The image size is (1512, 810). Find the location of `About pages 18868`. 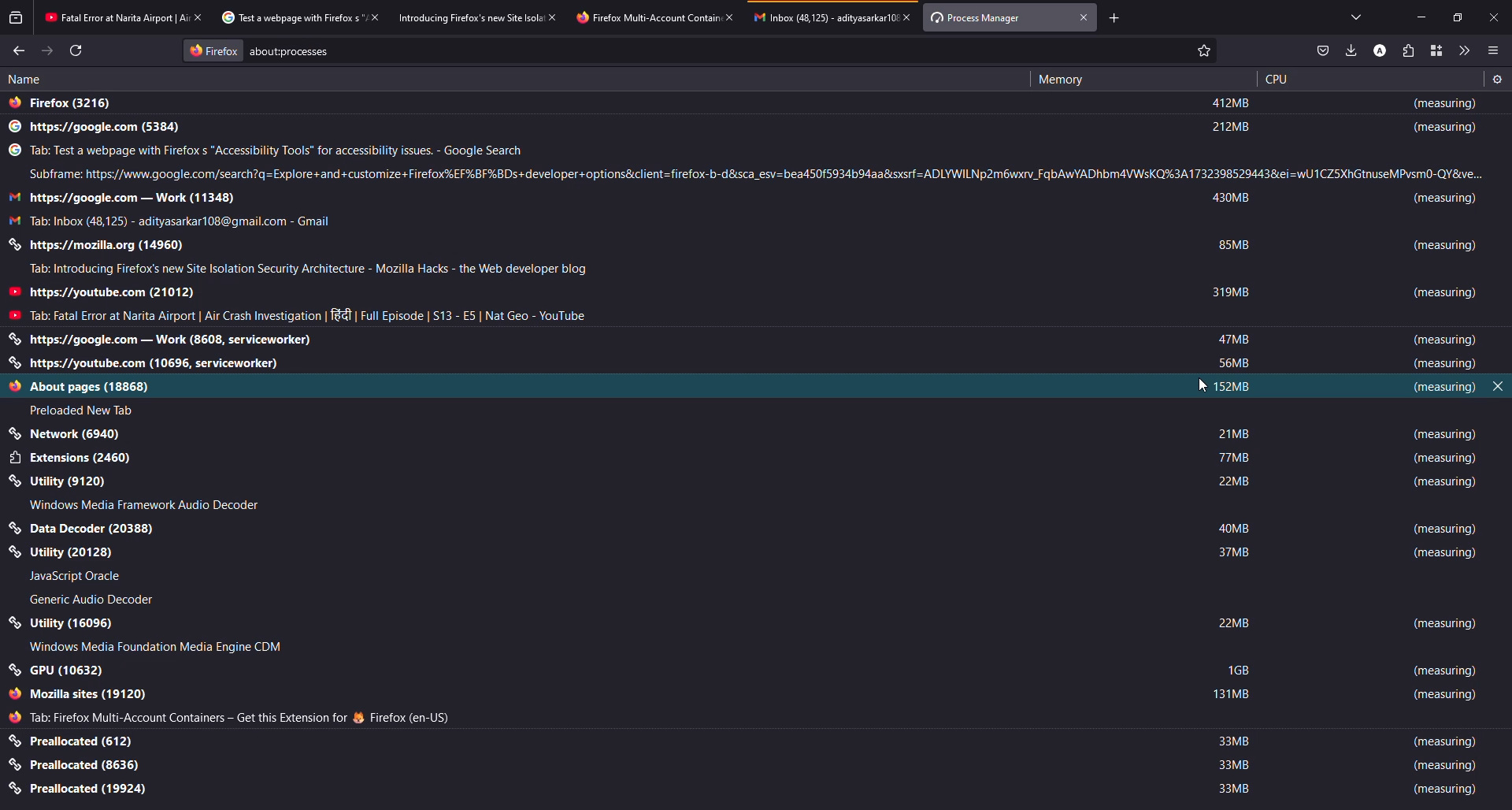

About pages 18868 is located at coordinates (87, 387).